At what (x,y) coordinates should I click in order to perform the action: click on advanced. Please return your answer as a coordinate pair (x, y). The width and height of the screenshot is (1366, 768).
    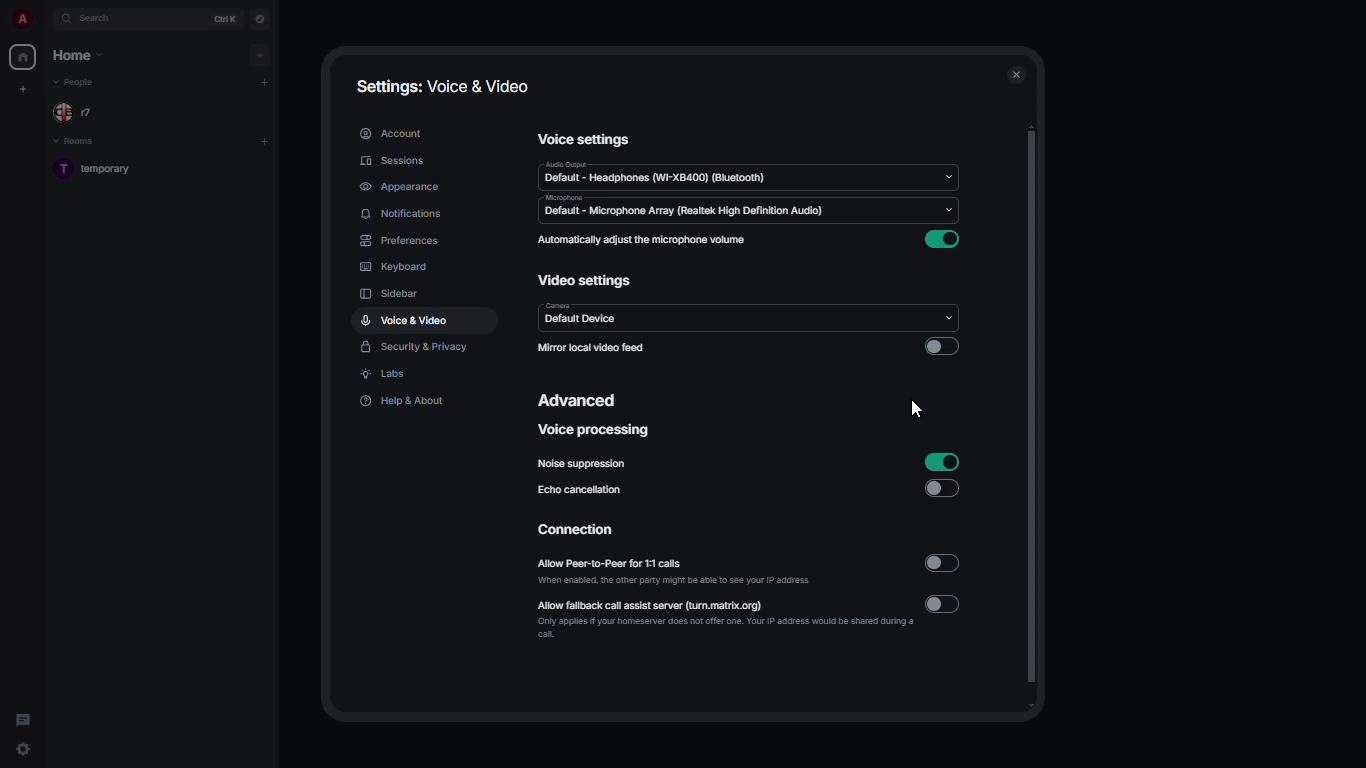
    Looking at the image, I should click on (582, 399).